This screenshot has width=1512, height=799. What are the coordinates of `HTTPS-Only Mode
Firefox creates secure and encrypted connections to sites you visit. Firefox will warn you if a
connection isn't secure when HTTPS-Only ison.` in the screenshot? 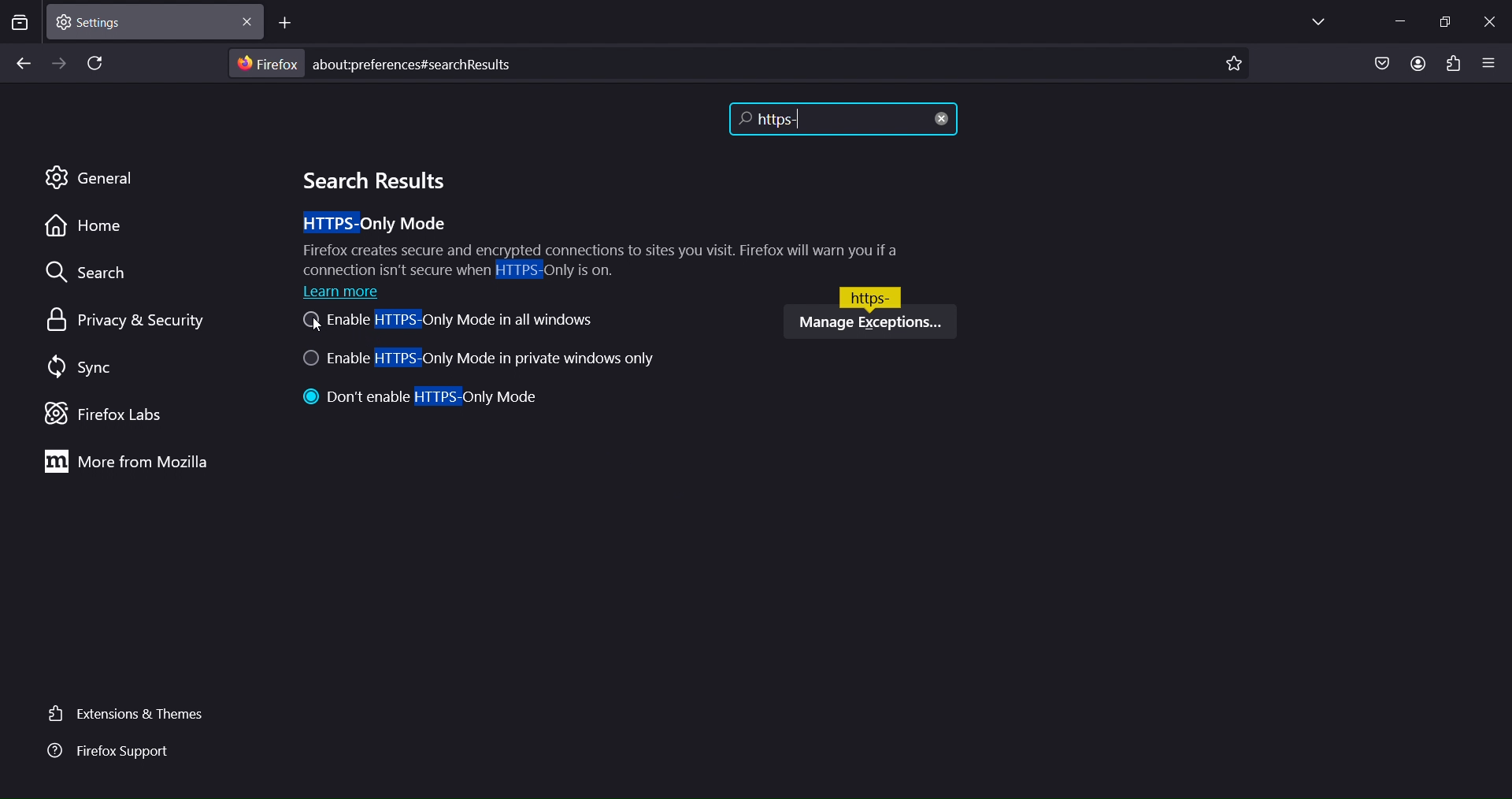 It's located at (606, 244).